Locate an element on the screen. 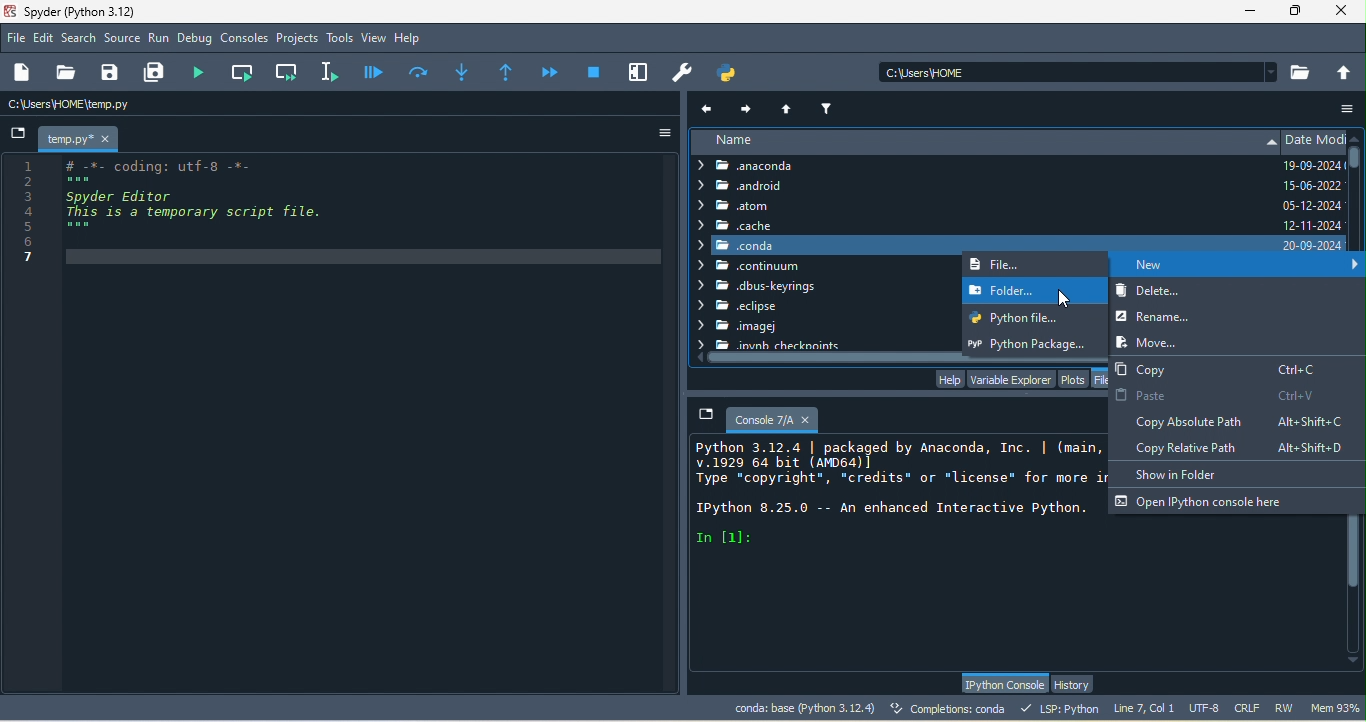  python package is located at coordinates (1034, 341).